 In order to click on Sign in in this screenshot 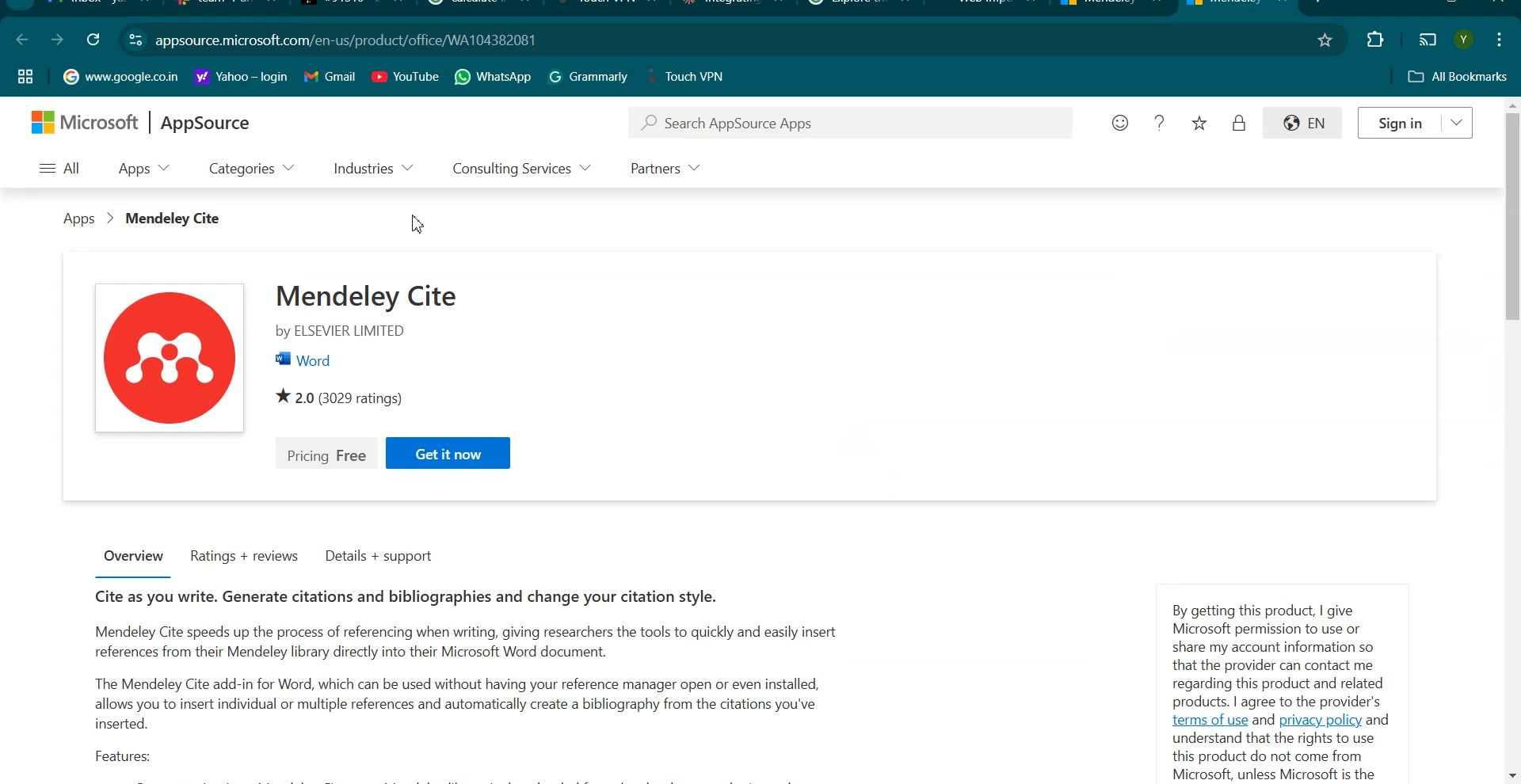, I will do `click(1417, 122)`.